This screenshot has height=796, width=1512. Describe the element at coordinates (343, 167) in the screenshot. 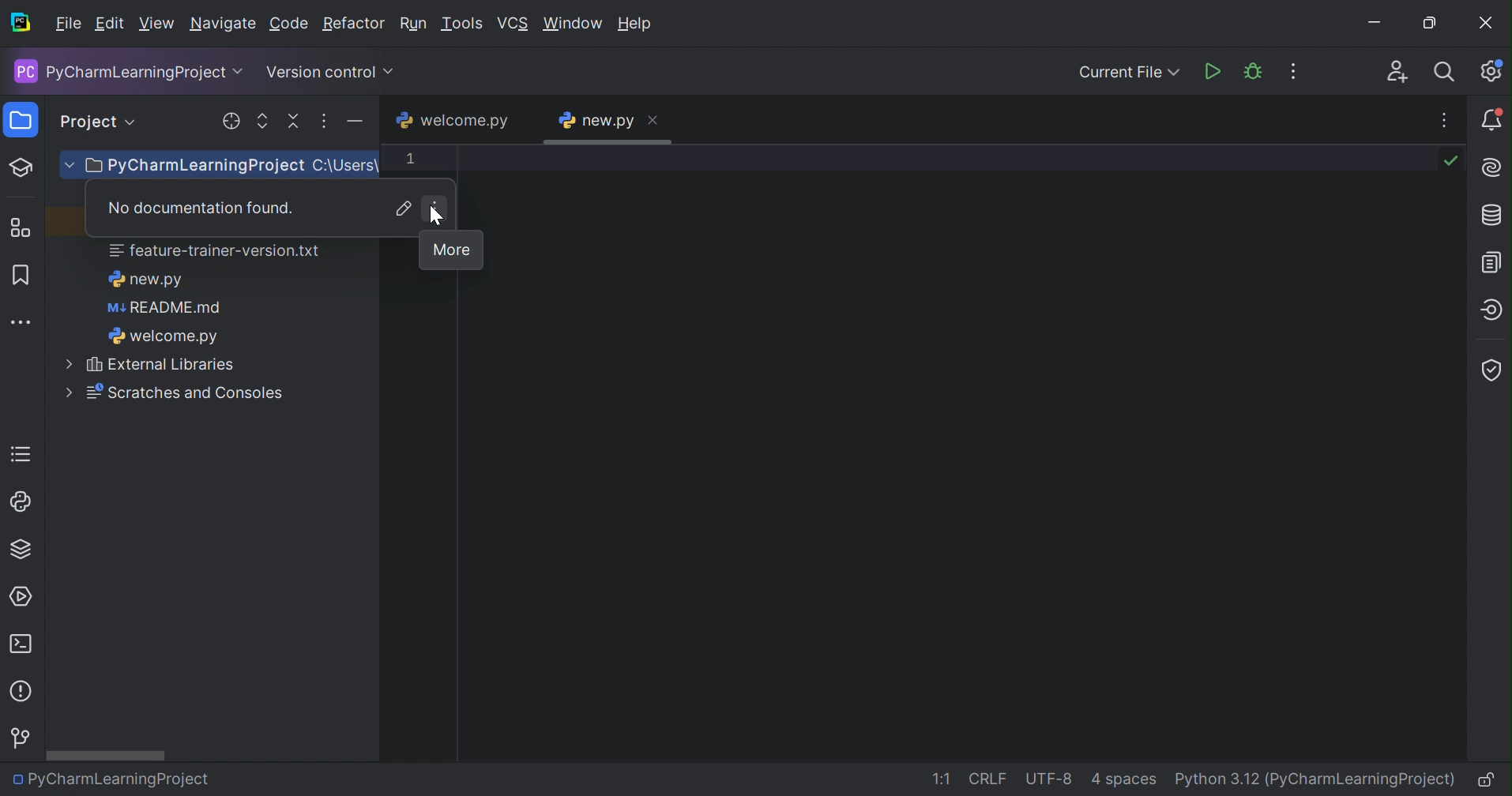

I see `C:\Users\` at that location.